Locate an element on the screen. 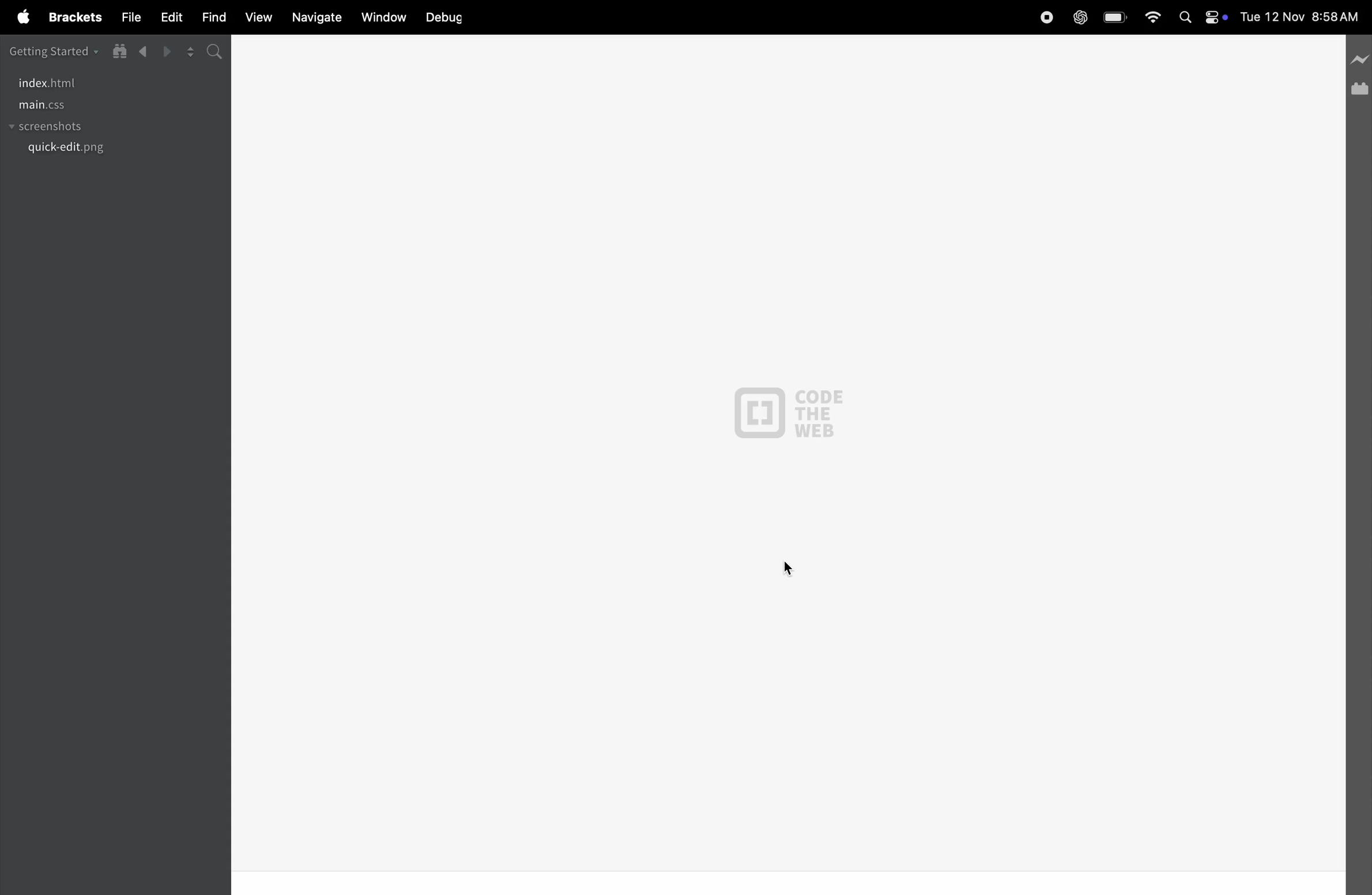 The width and height of the screenshot is (1372, 895). main .css is located at coordinates (63, 106).